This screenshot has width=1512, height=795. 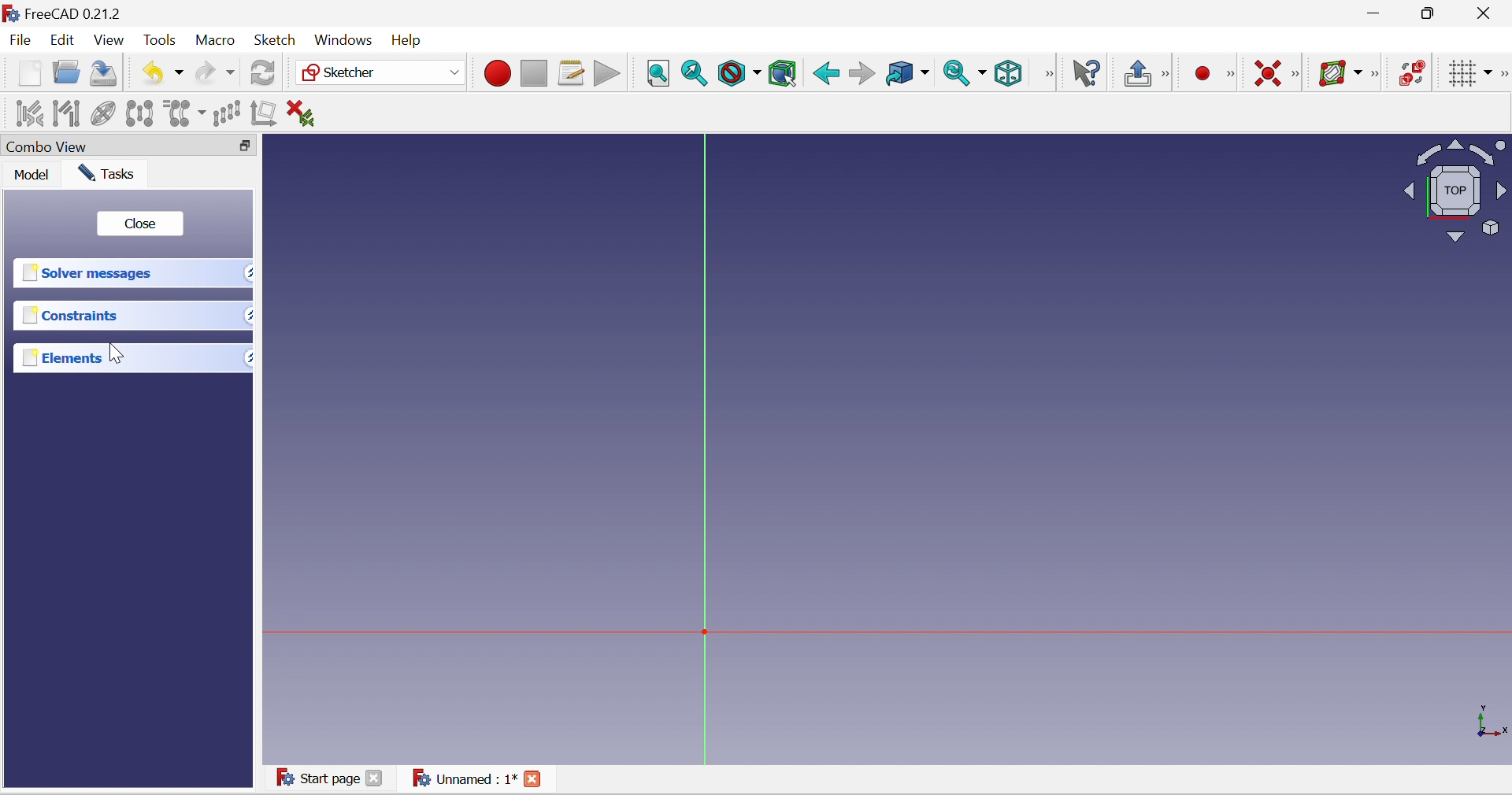 What do you see at coordinates (249, 312) in the screenshot?
I see `Drop down` at bounding box center [249, 312].